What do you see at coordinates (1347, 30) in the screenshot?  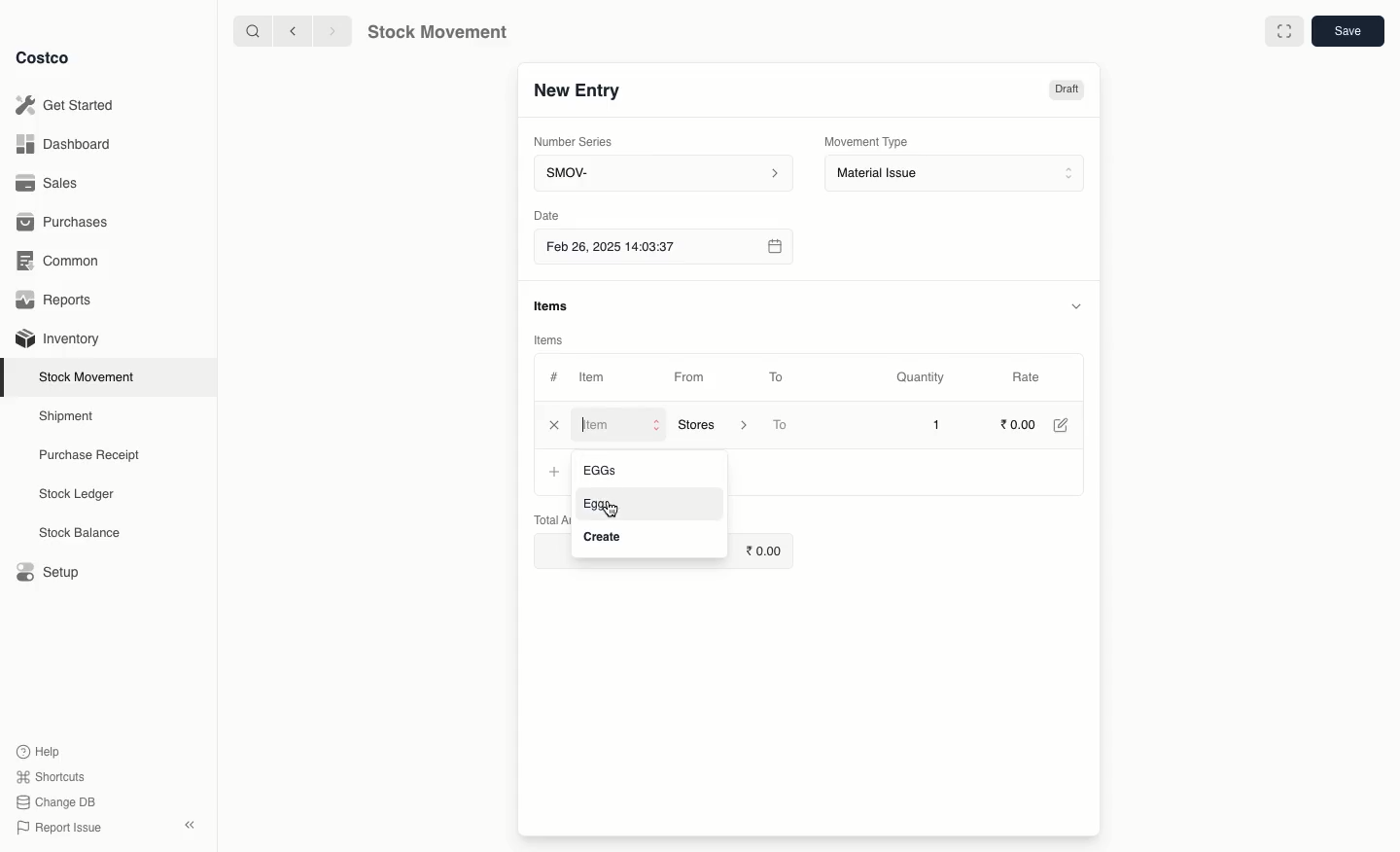 I see `save` at bounding box center [1347, 30].